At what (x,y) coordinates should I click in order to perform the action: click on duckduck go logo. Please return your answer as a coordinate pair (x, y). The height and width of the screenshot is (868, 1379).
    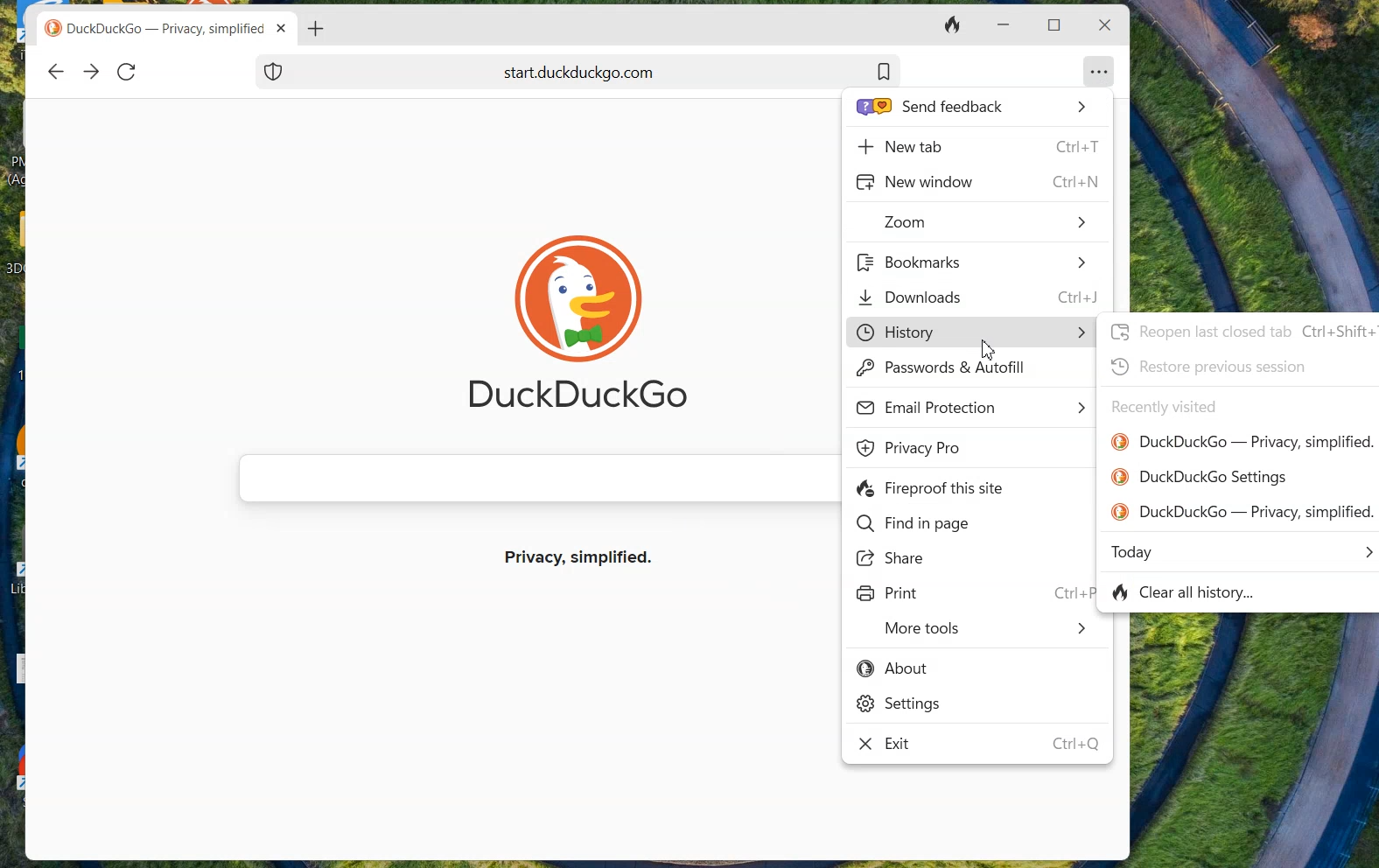
    Looking at the image, I should click on (53, 29).